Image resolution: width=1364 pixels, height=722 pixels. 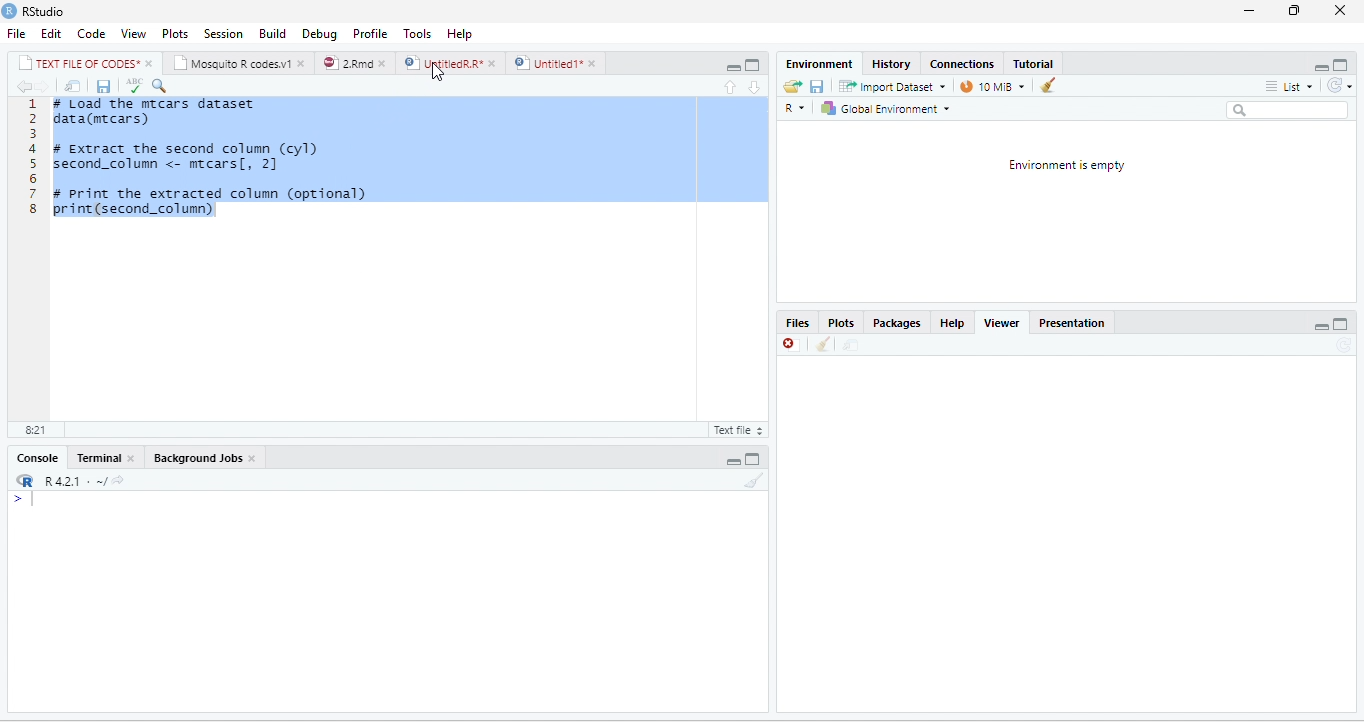 What do you see at coordinates (790, 346) in the screenshot?
I see `close` at bounding box center [790, 346].